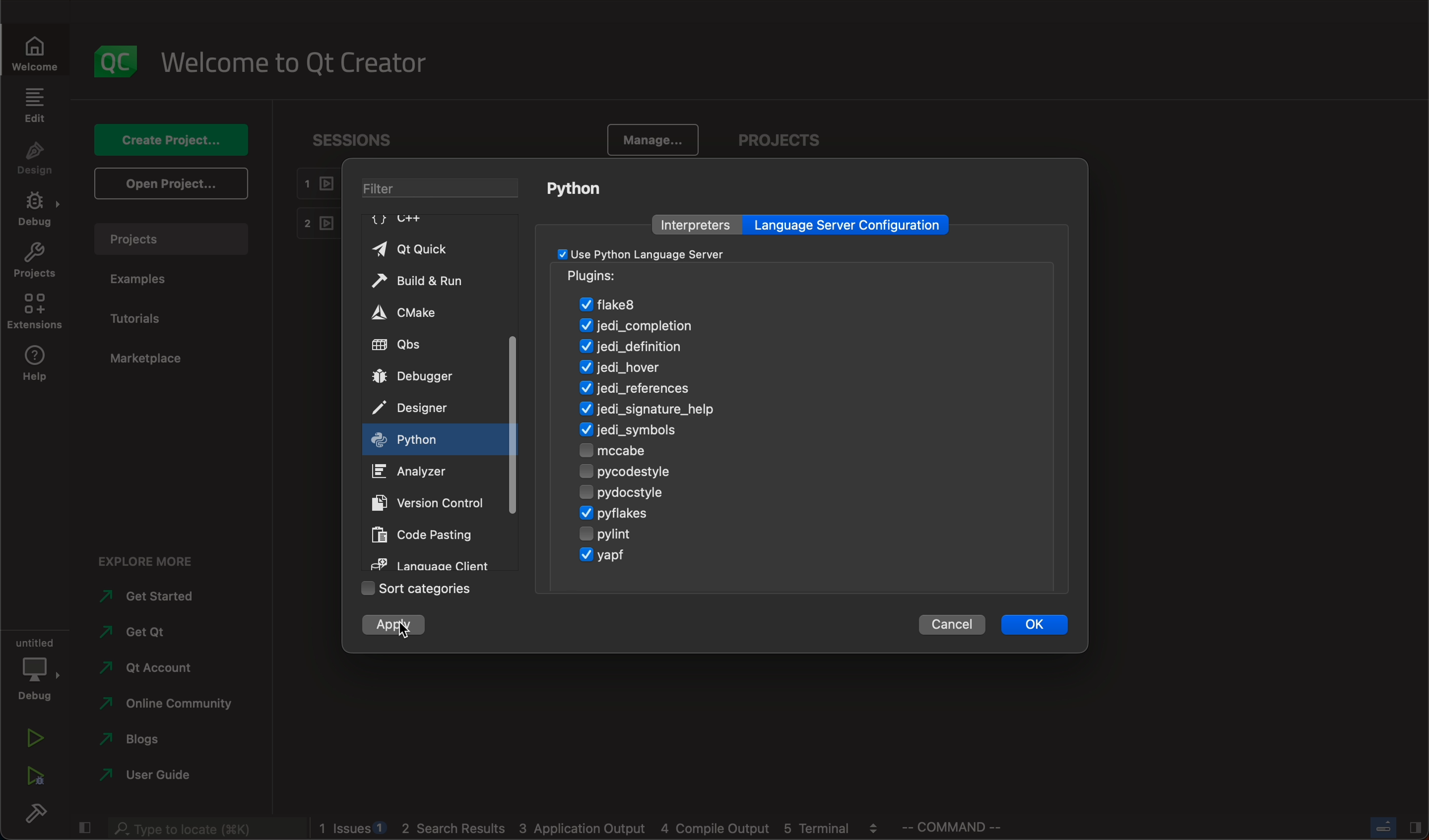 The image size is (1429, 840). Describe the element at coordinates (142, 282) in the screenshot. I see `examples` at that location.